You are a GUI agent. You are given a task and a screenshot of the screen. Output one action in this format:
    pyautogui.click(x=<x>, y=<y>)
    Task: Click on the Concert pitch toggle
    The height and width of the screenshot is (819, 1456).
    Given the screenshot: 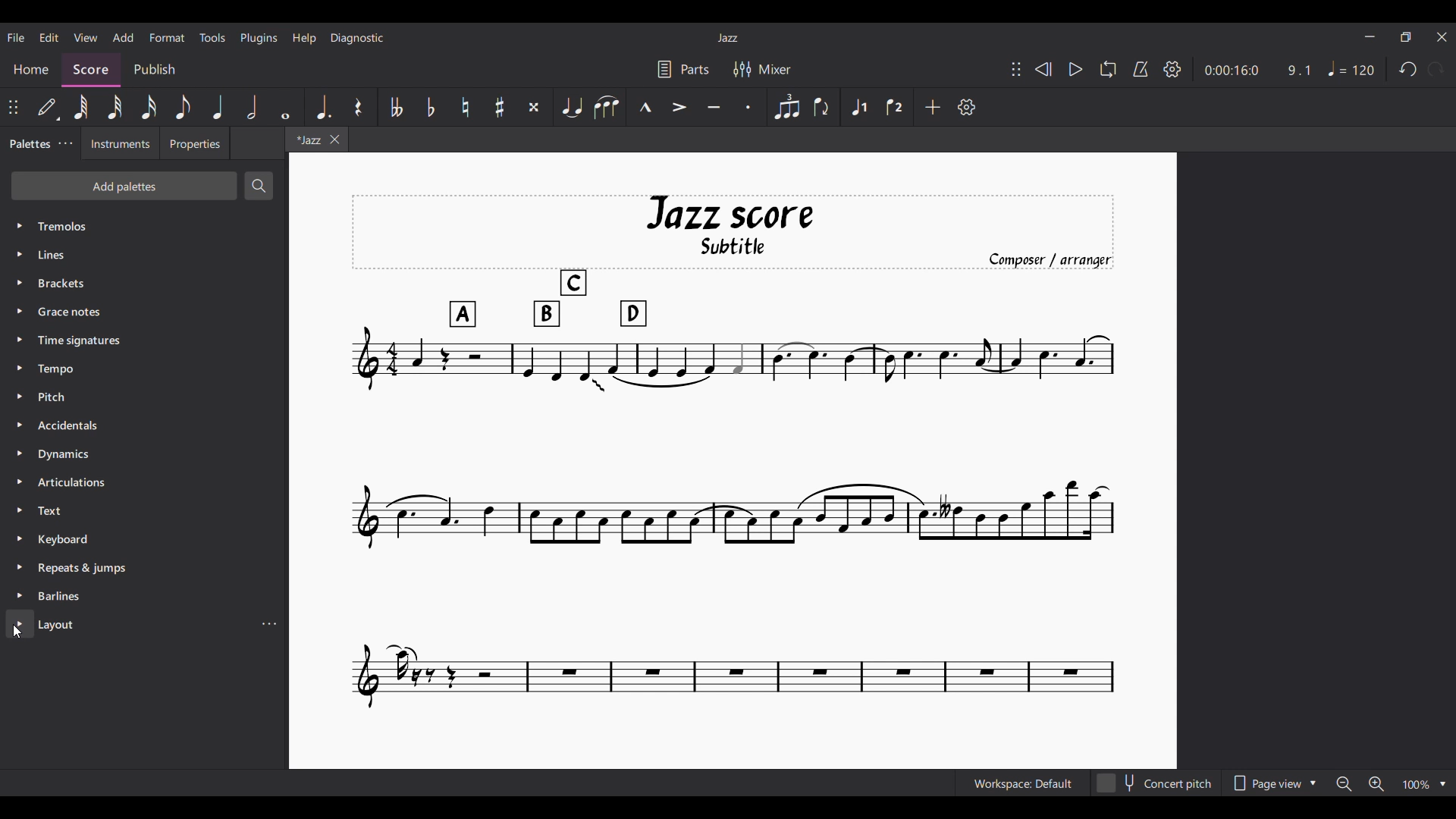 What is the action you would take?
    pyautogui.click(x=1156, y=783)
    